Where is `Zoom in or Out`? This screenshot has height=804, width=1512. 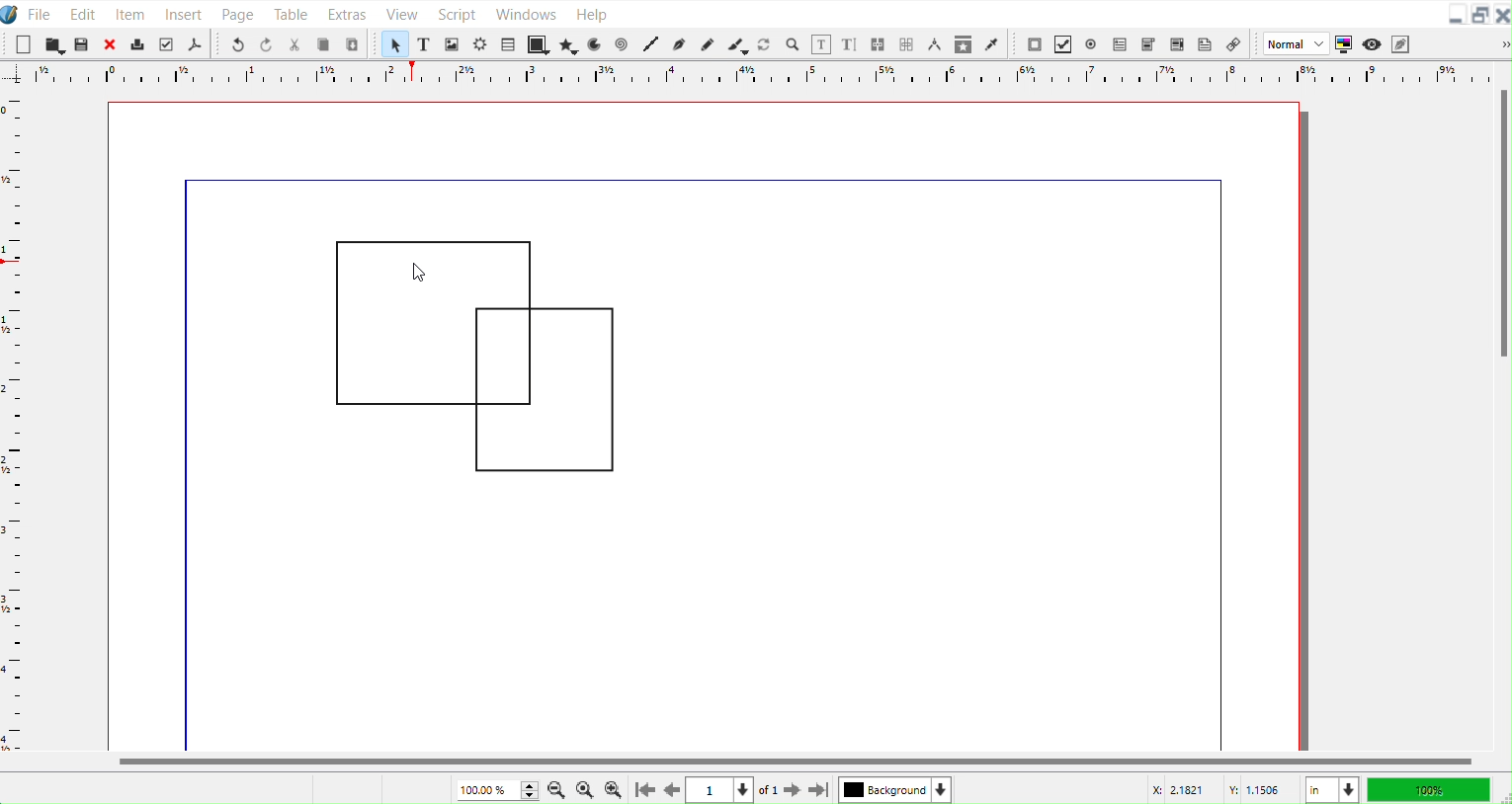
Zoom in or Out is located at coordinates (792, 44).